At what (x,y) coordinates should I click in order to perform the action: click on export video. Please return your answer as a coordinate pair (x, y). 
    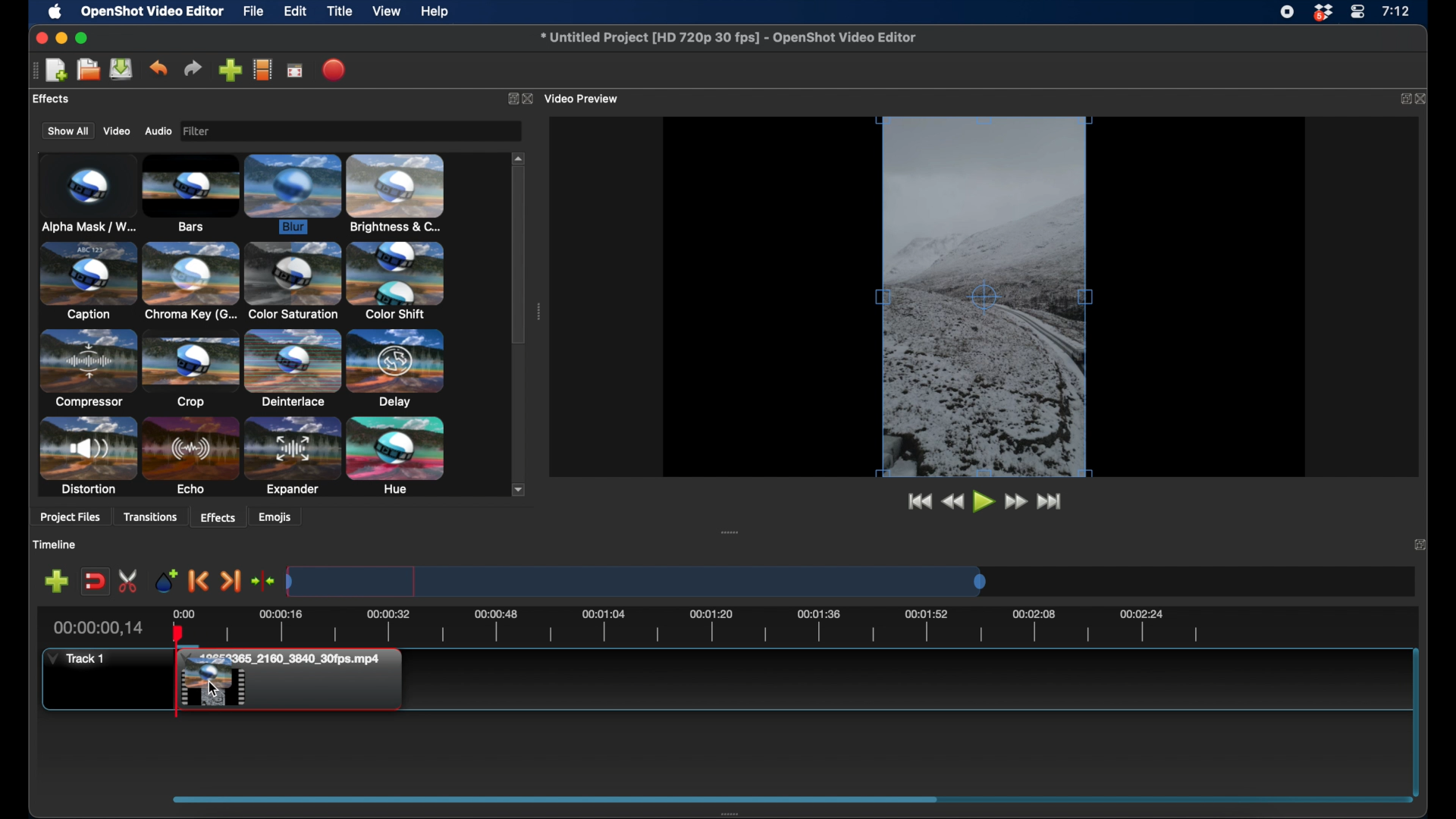
    Looking at the image, I should click on (336, 70).